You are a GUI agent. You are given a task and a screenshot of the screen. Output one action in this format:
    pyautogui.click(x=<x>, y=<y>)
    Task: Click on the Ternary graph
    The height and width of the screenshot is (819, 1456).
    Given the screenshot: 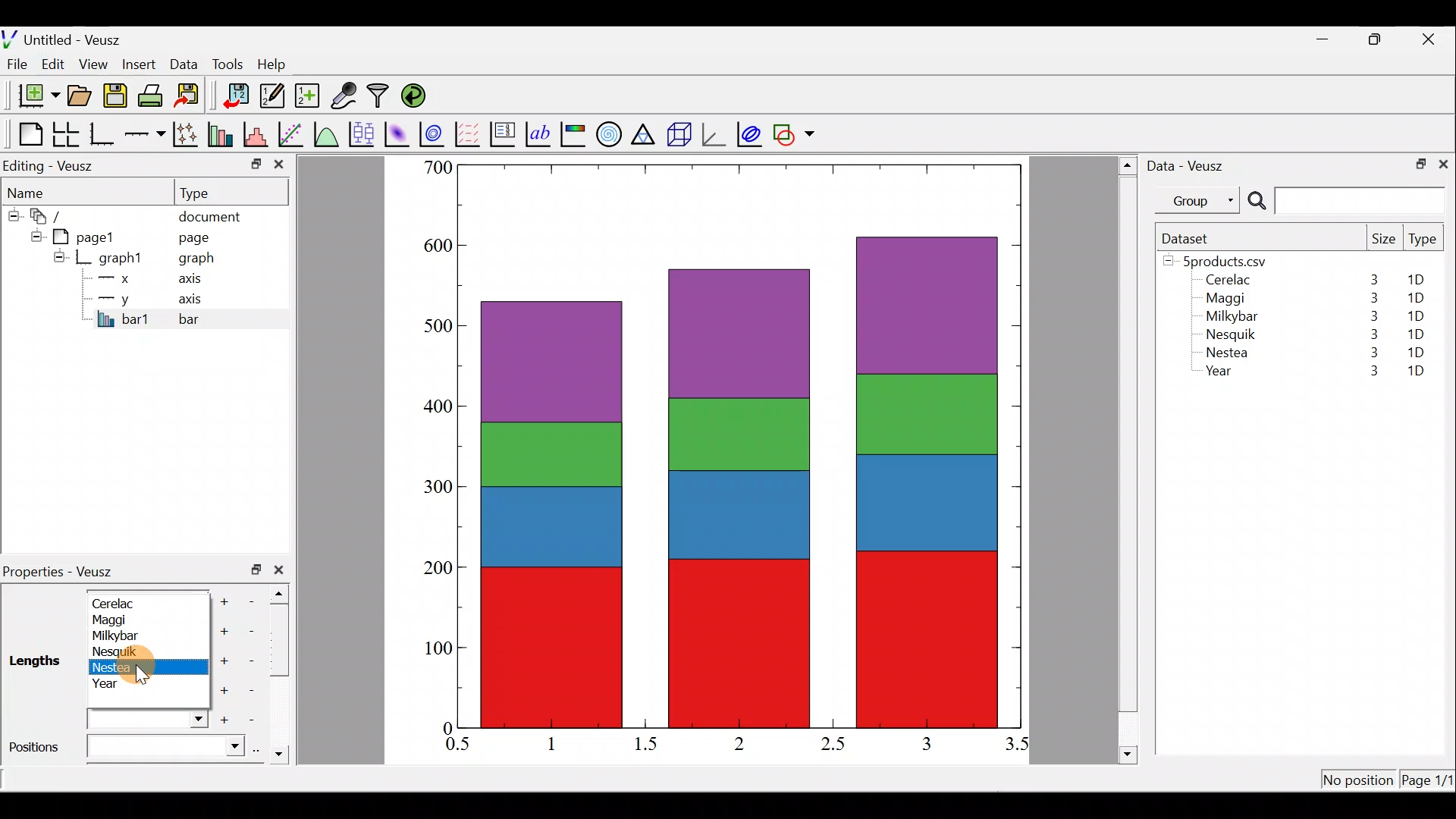 What is the action you would take?
    pyautogui.click(x=645, y=132)
    